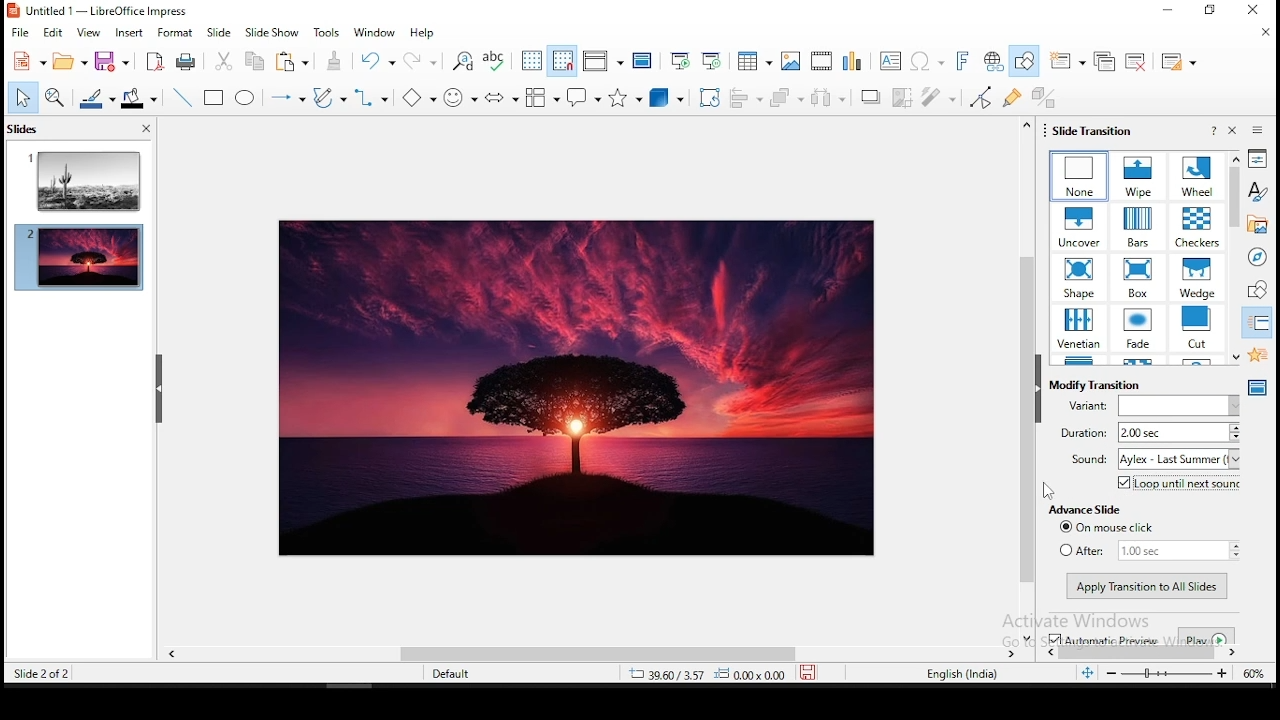 The width and height of the screenshot is (1280, 720). Describe the element at coordinates (99, 98) in the screenshot. I see `line color` at that location.